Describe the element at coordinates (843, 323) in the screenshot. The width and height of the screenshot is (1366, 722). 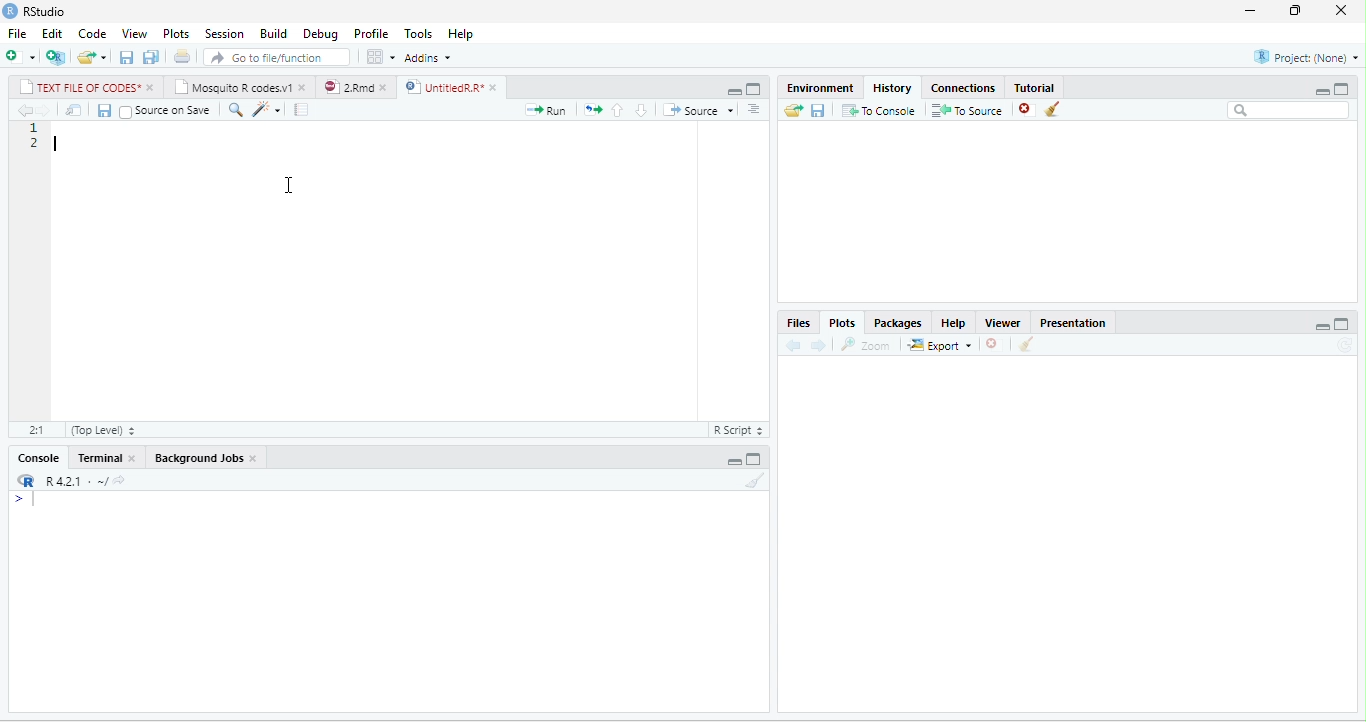
I see `Plots` at that location.